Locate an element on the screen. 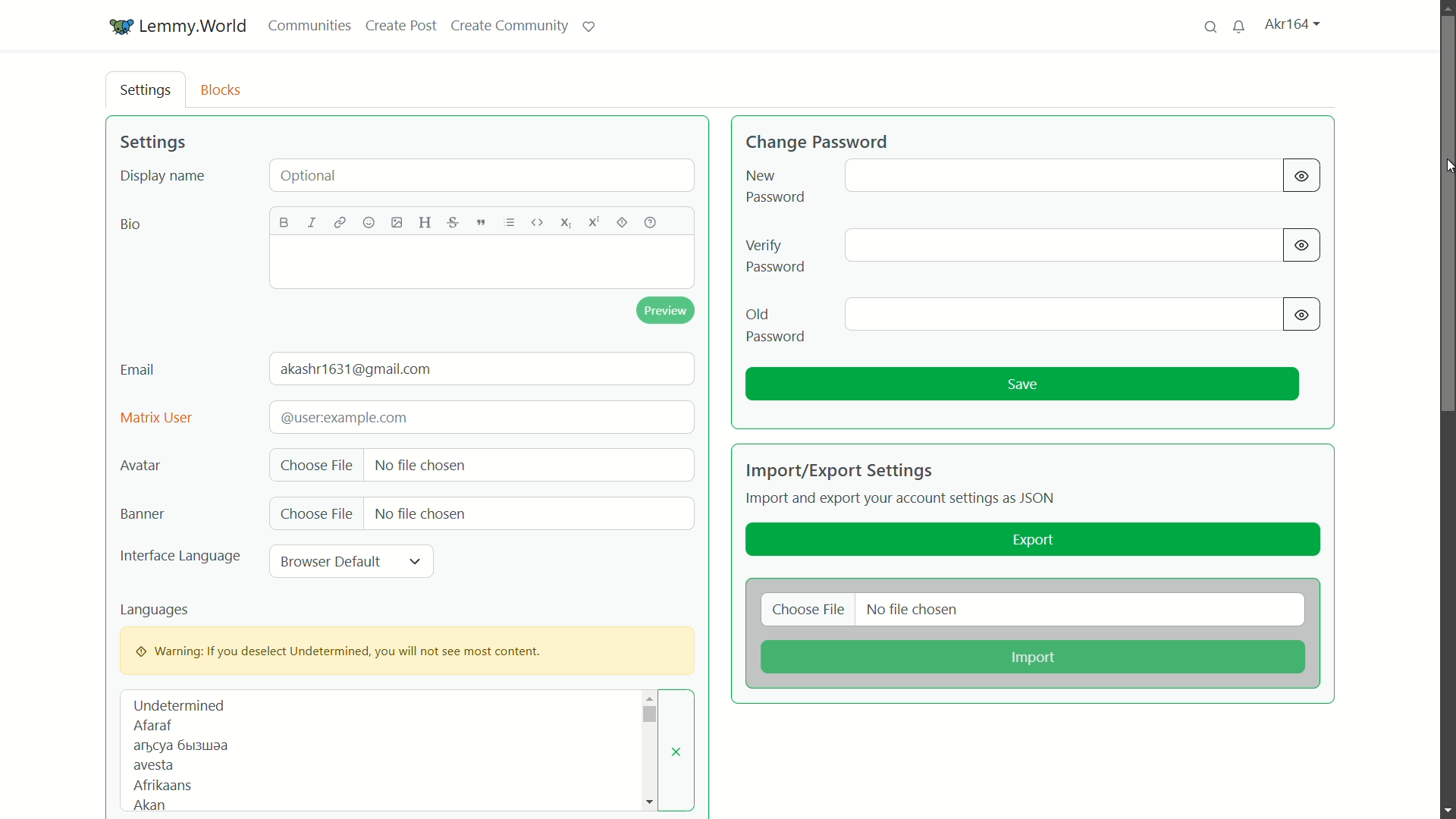 This screenshot has height=819, width=1456. save is located at coordinates (1021, 384).